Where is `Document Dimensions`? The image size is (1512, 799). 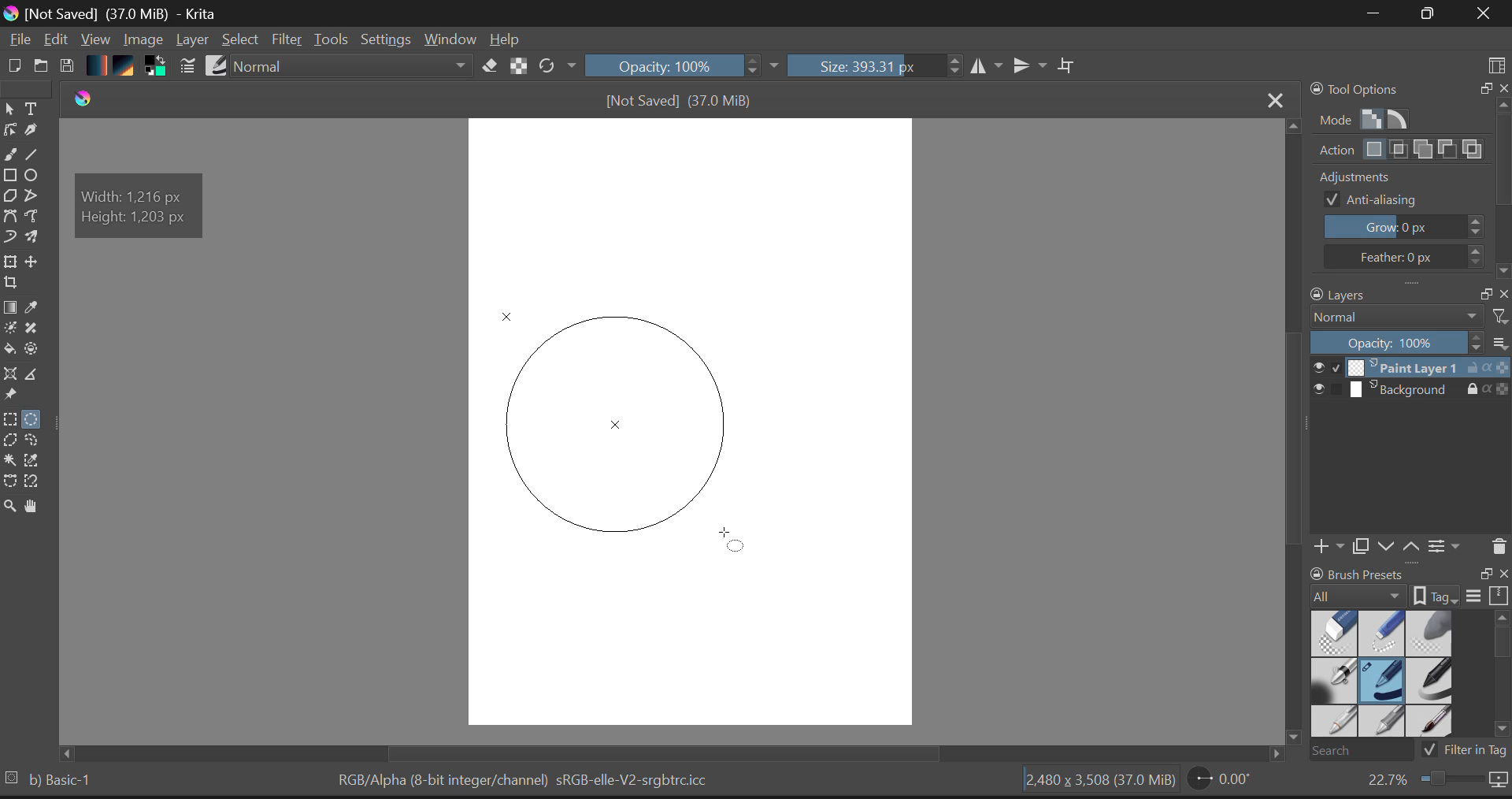
Document Dimensions is located at coordinates (1097, 782).